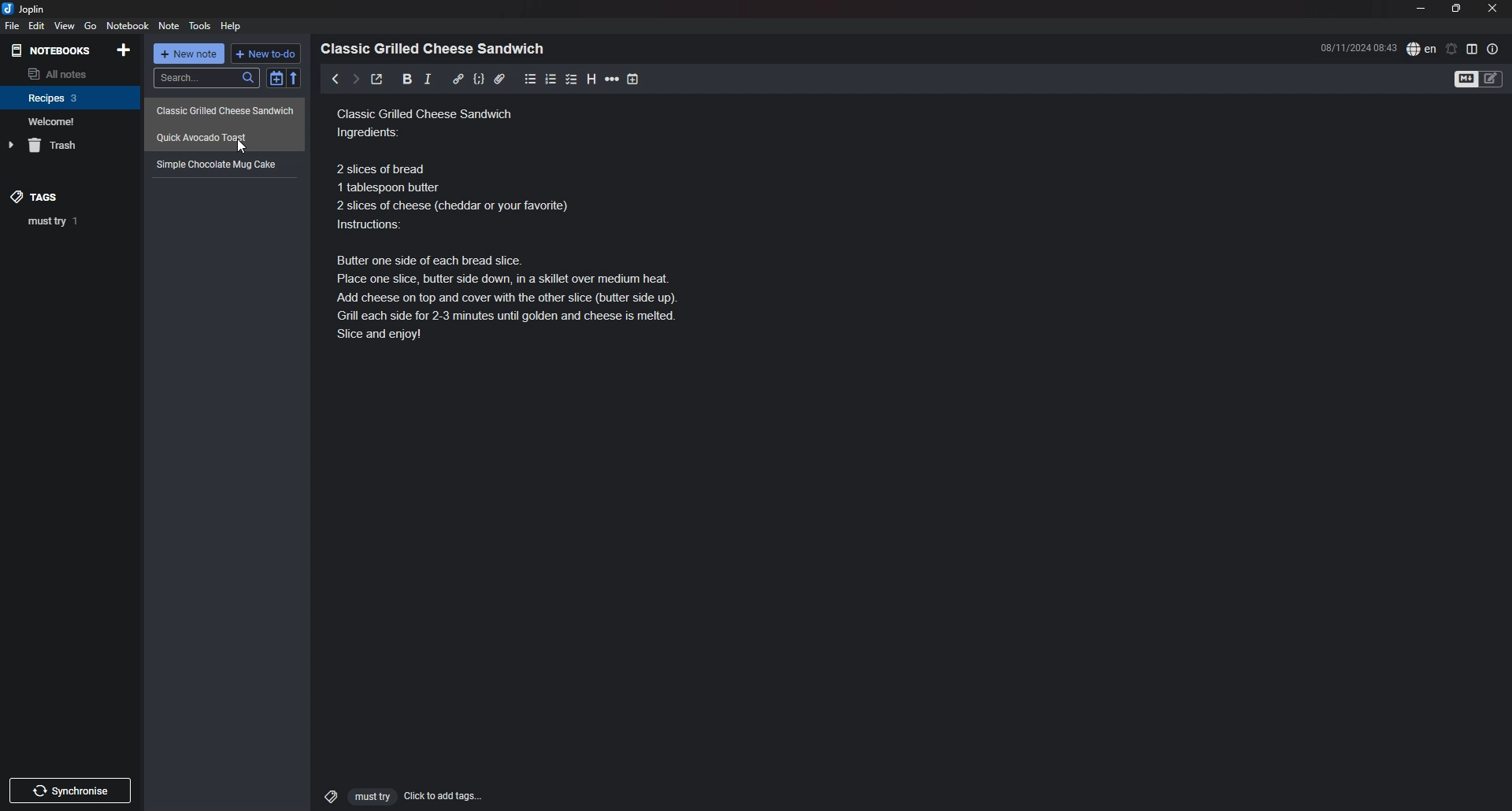 Image resolution: width=1512 pixels, height=811 pixels. What do you see at coordinates (402, 80) in the screenshot?
I see `bold` at bounding box center [402, 80].